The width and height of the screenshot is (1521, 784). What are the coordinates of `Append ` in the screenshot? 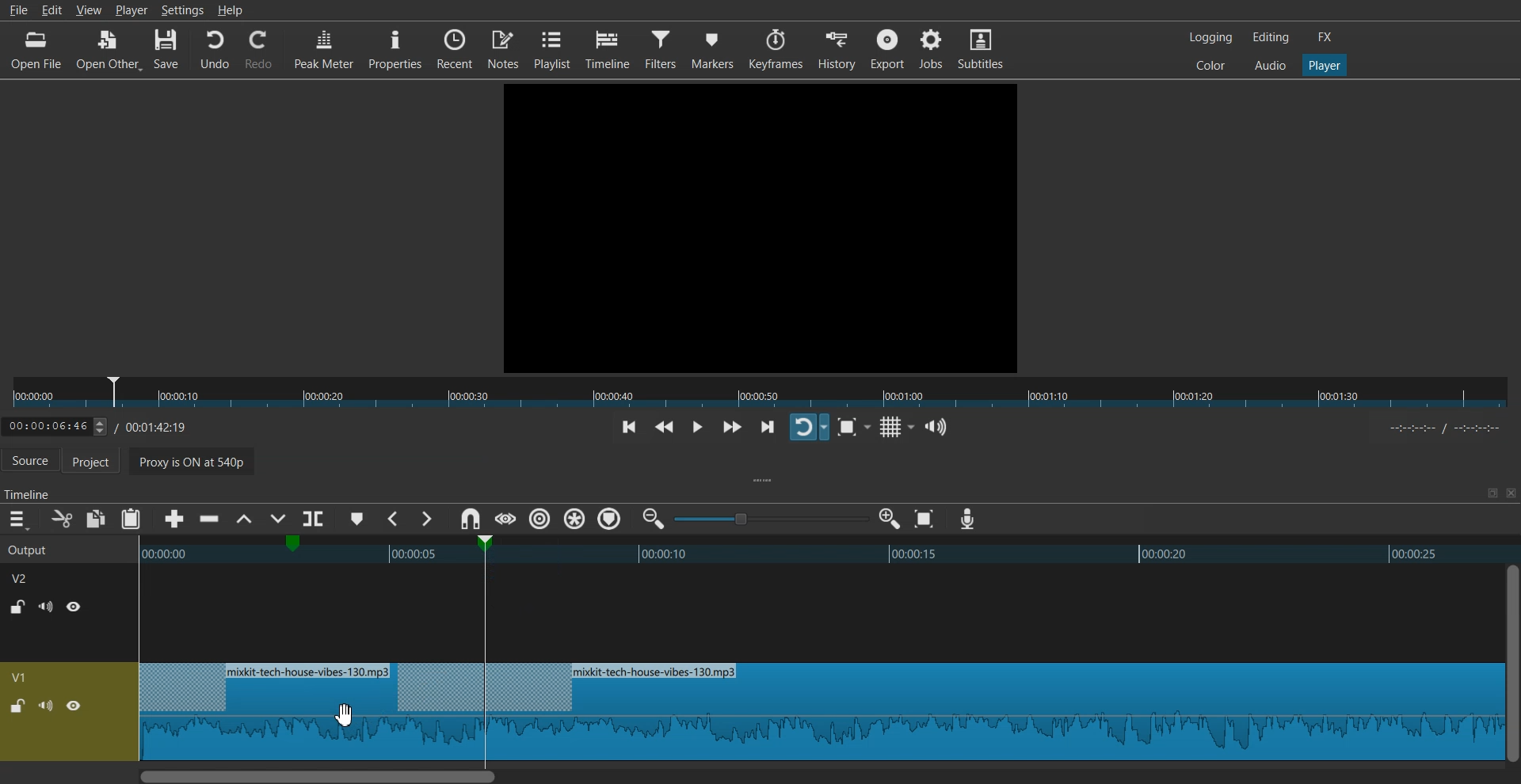 It's located at (175, 519).